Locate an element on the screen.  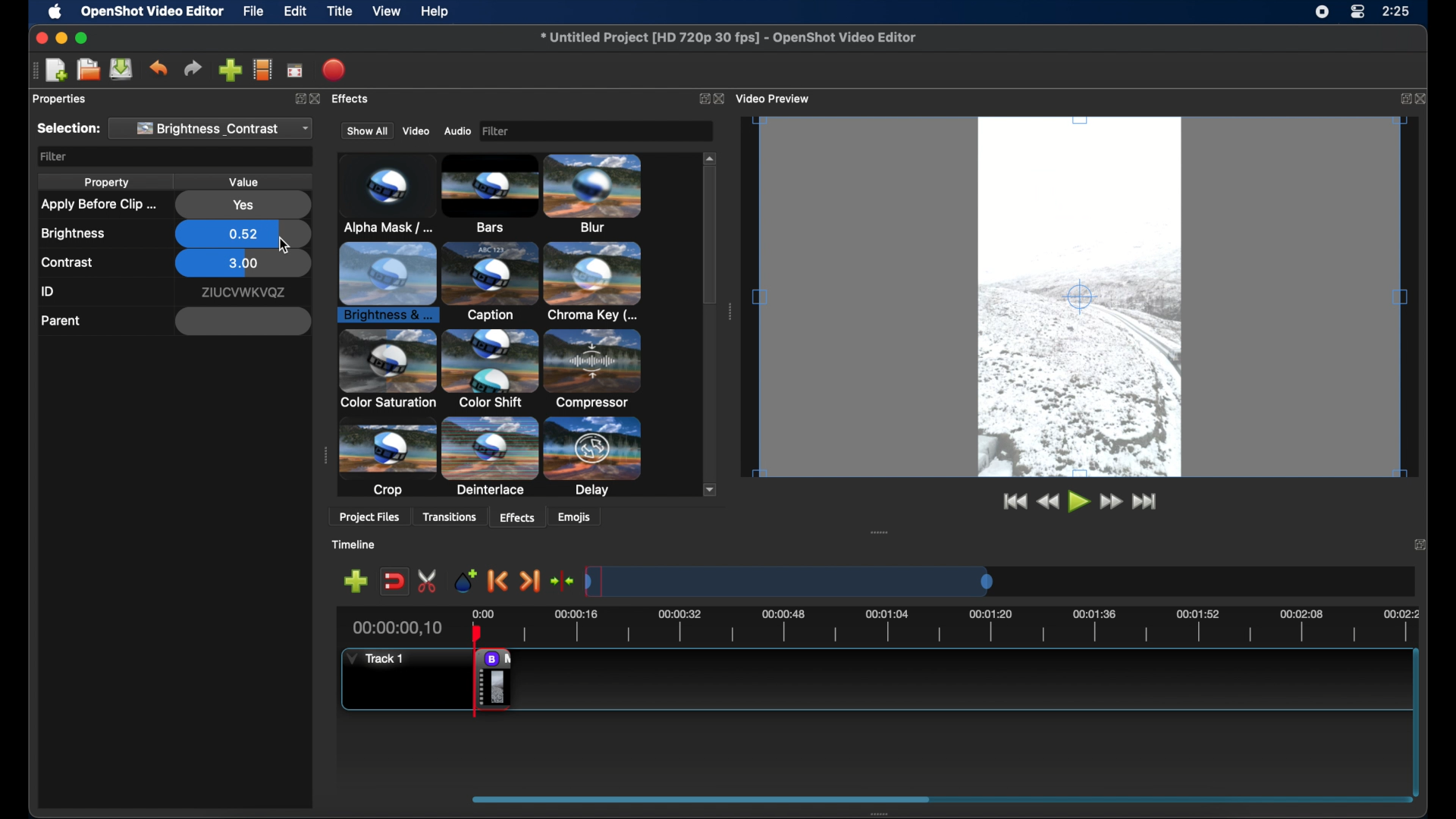
brightness and contrast dropdown is located at coordinates (215, 128).